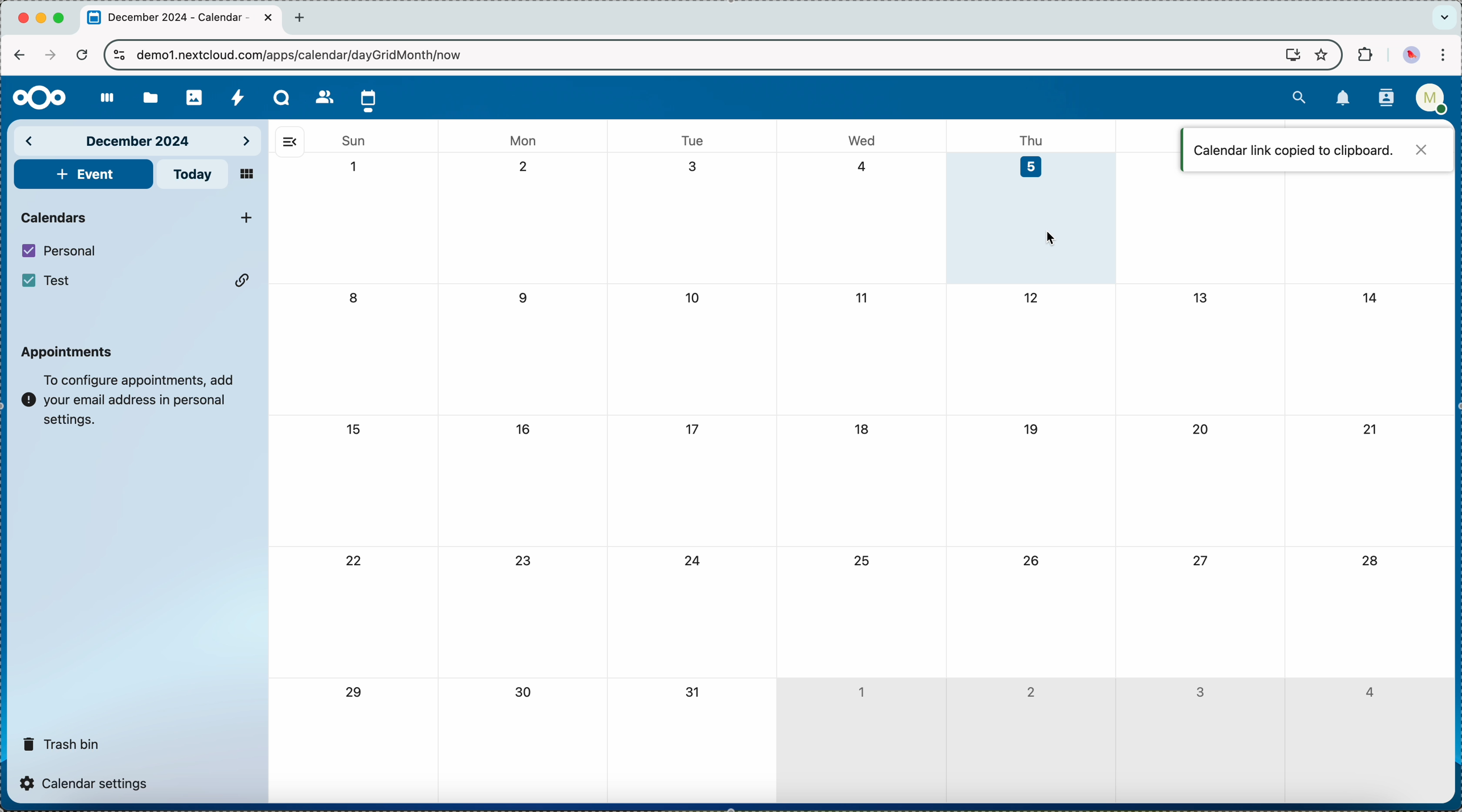 This screenshot has height=812, width=1462. I want to click on Talk, so click(282, 98).